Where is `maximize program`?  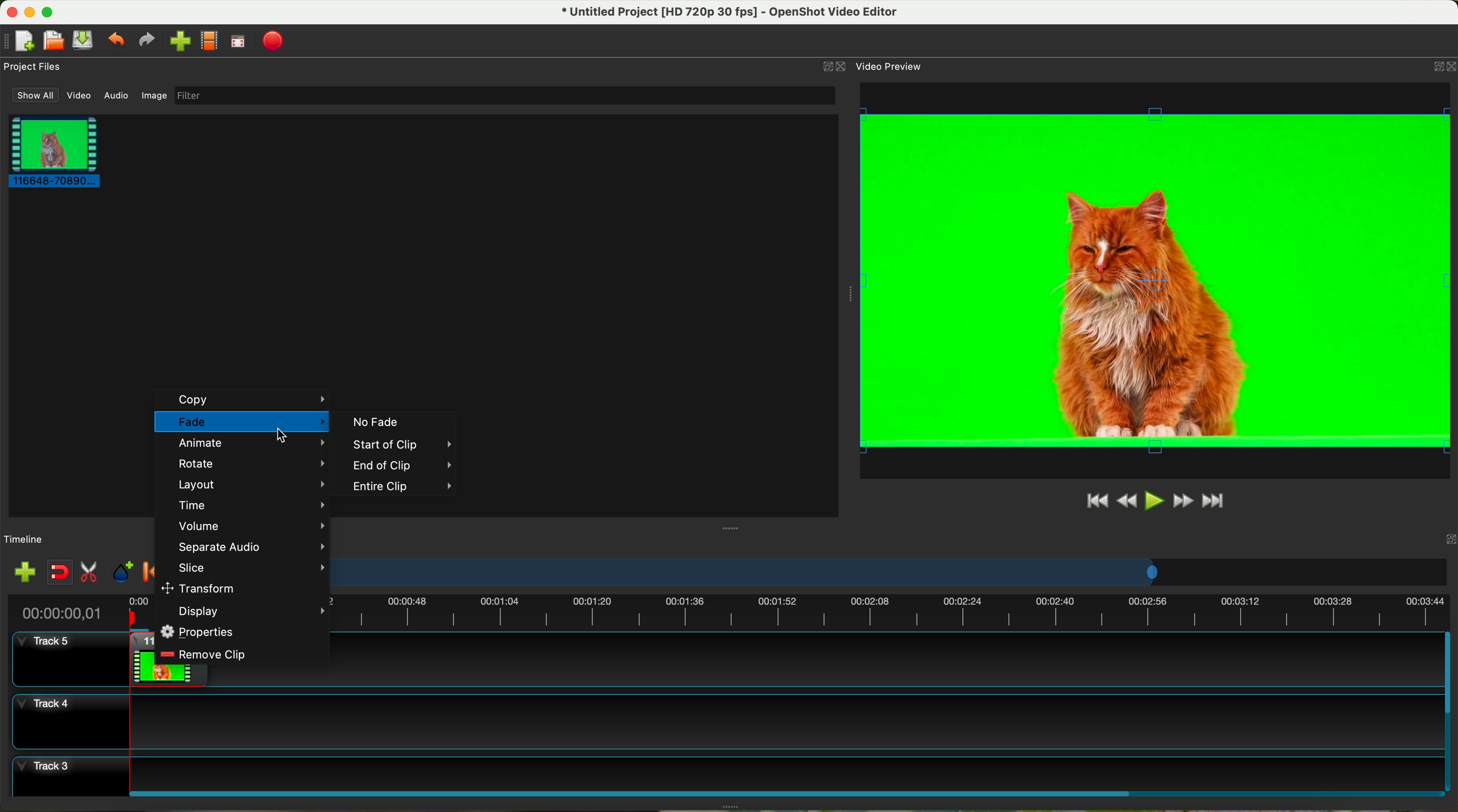
maximize program is located at coordinates (49, 12).